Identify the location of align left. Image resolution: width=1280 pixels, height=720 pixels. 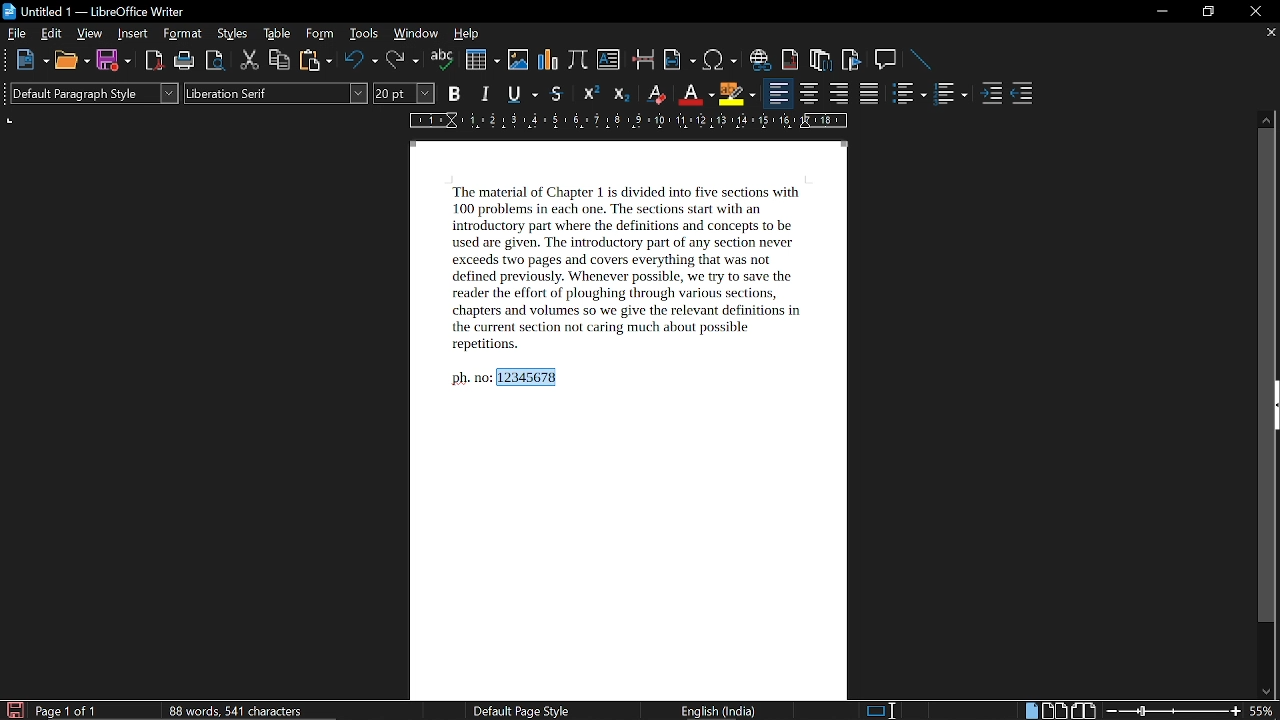
(777, 95).